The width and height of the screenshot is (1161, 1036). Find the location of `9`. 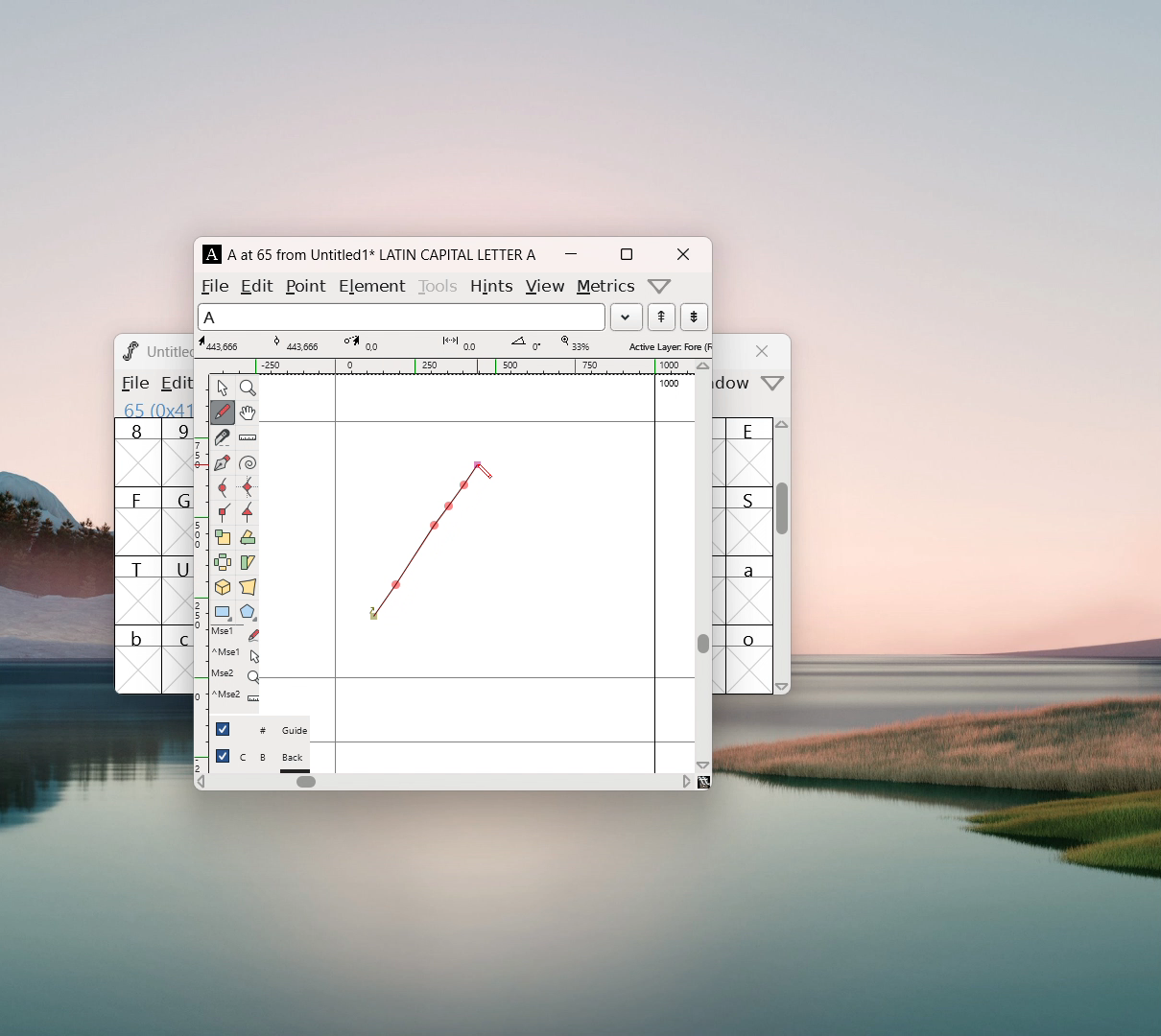

9 is located at coordinates (178, 452).